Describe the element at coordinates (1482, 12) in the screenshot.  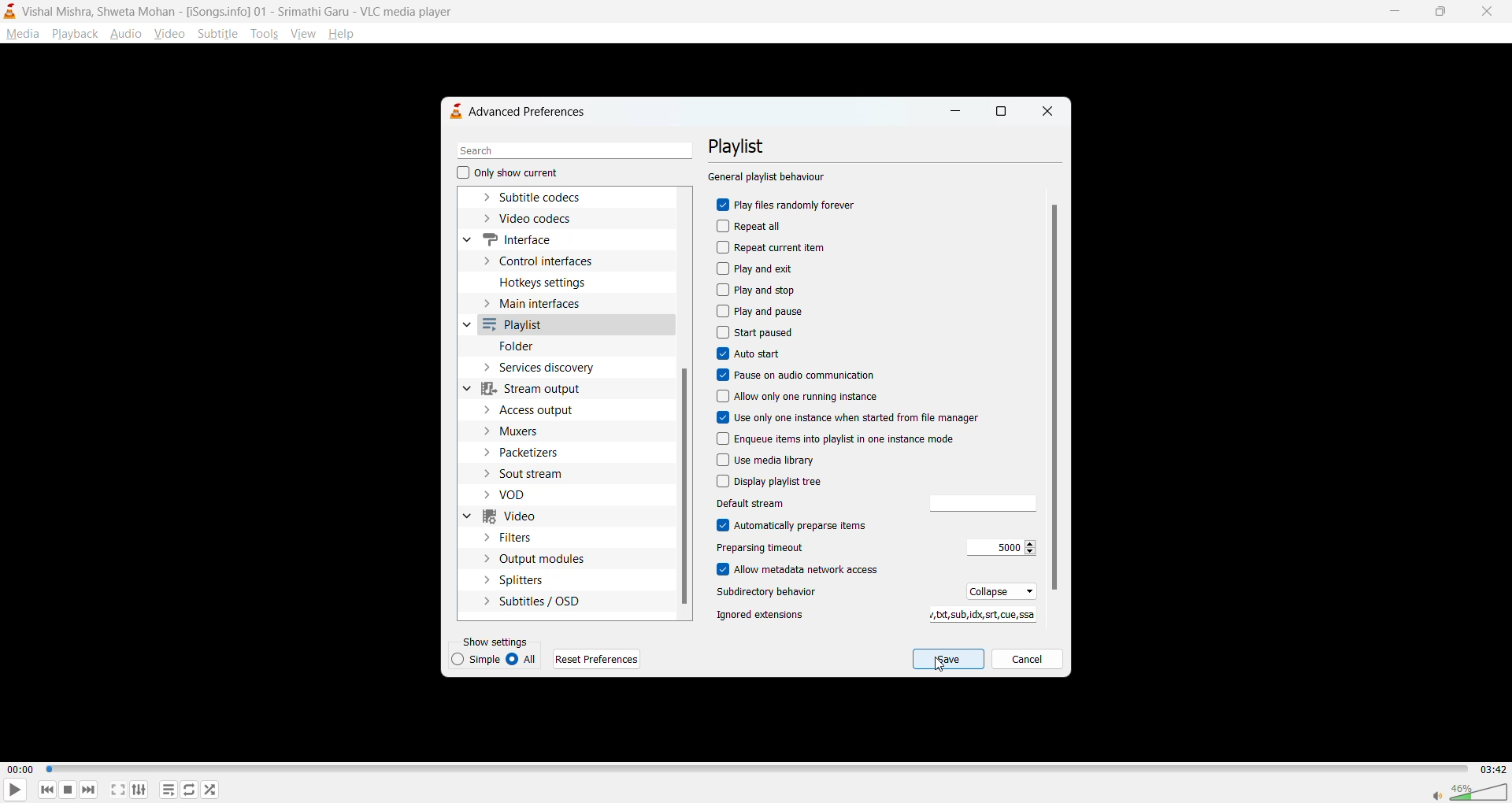
I see `close` at that location.